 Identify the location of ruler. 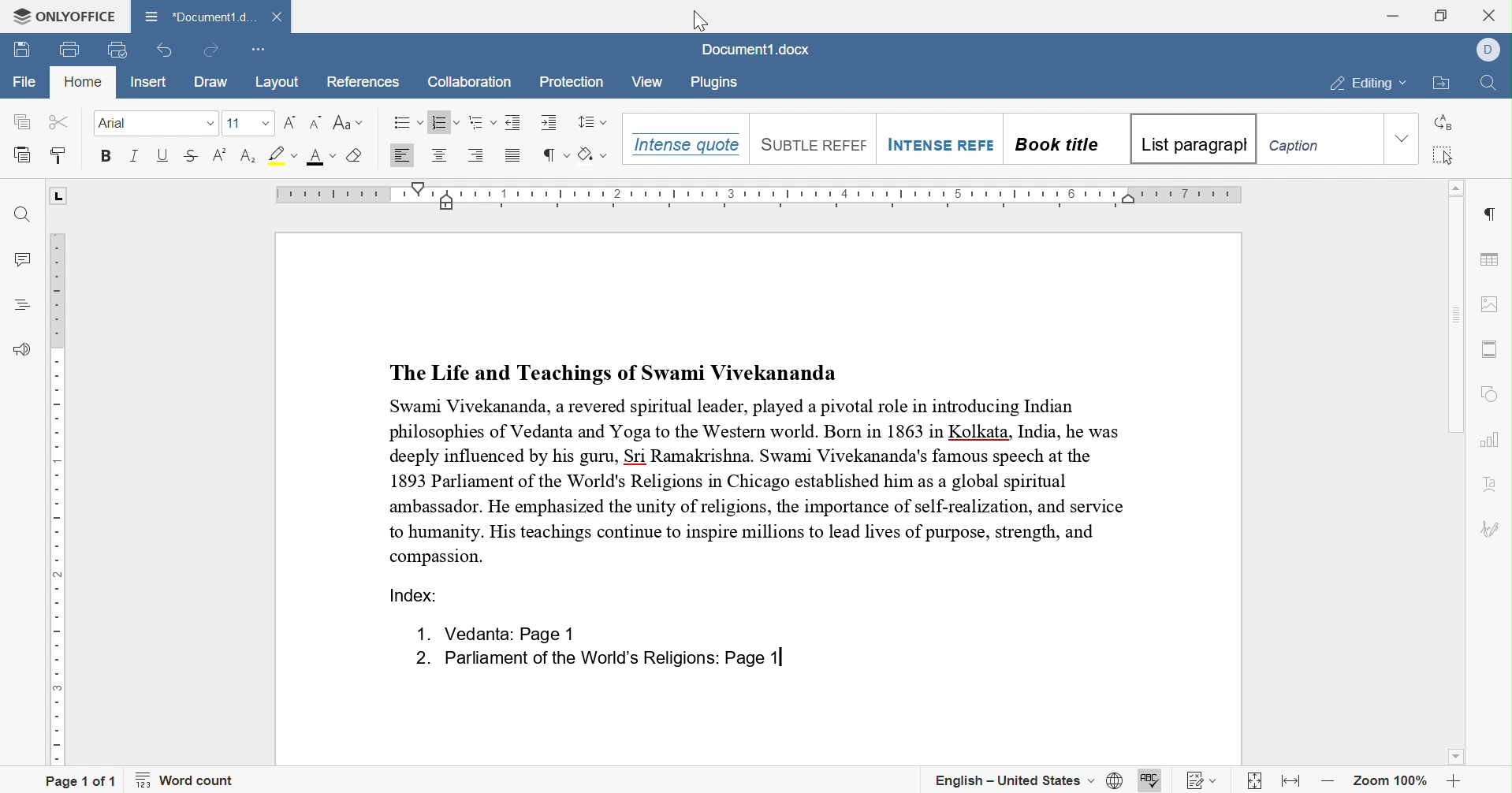
(764, 195).